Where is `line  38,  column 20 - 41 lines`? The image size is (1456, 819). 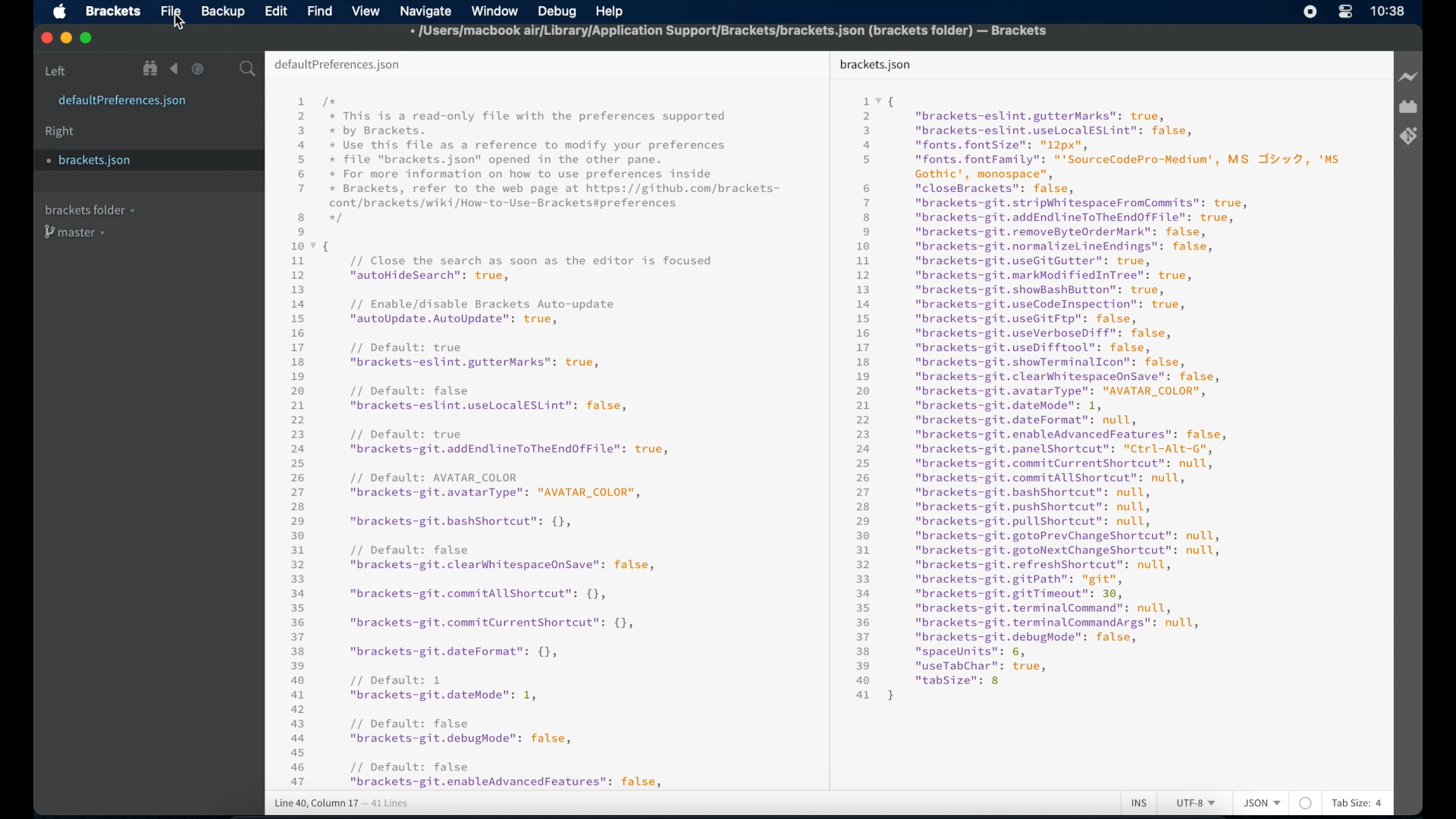
line  38,  column 20 - 41 lines is located at coordinates (342, 804).